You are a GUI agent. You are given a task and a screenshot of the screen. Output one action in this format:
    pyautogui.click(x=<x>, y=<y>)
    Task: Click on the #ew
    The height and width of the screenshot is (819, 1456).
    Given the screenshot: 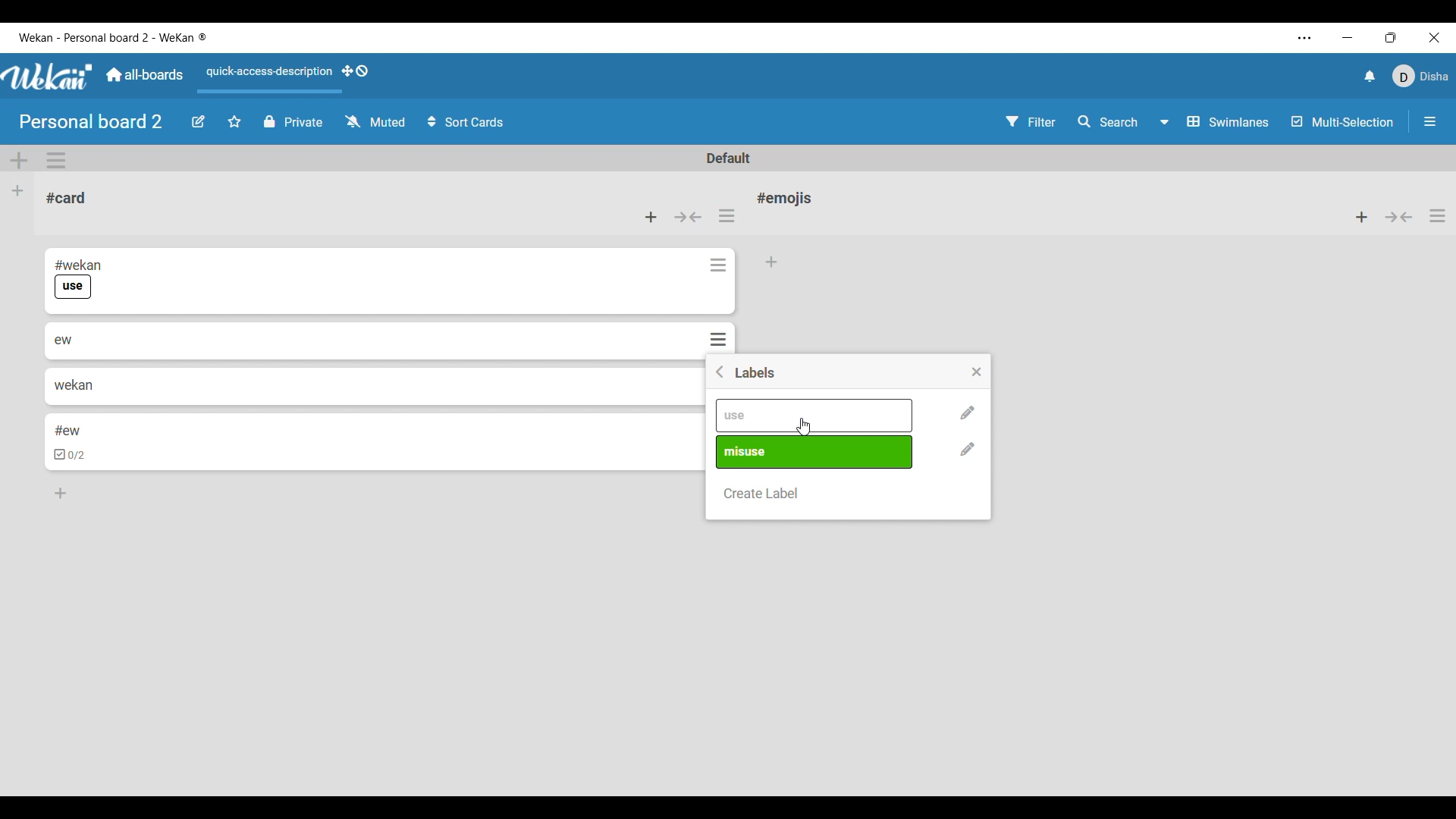 What is the action you would take?
    pyautogui.click(x=67, y=430)
    